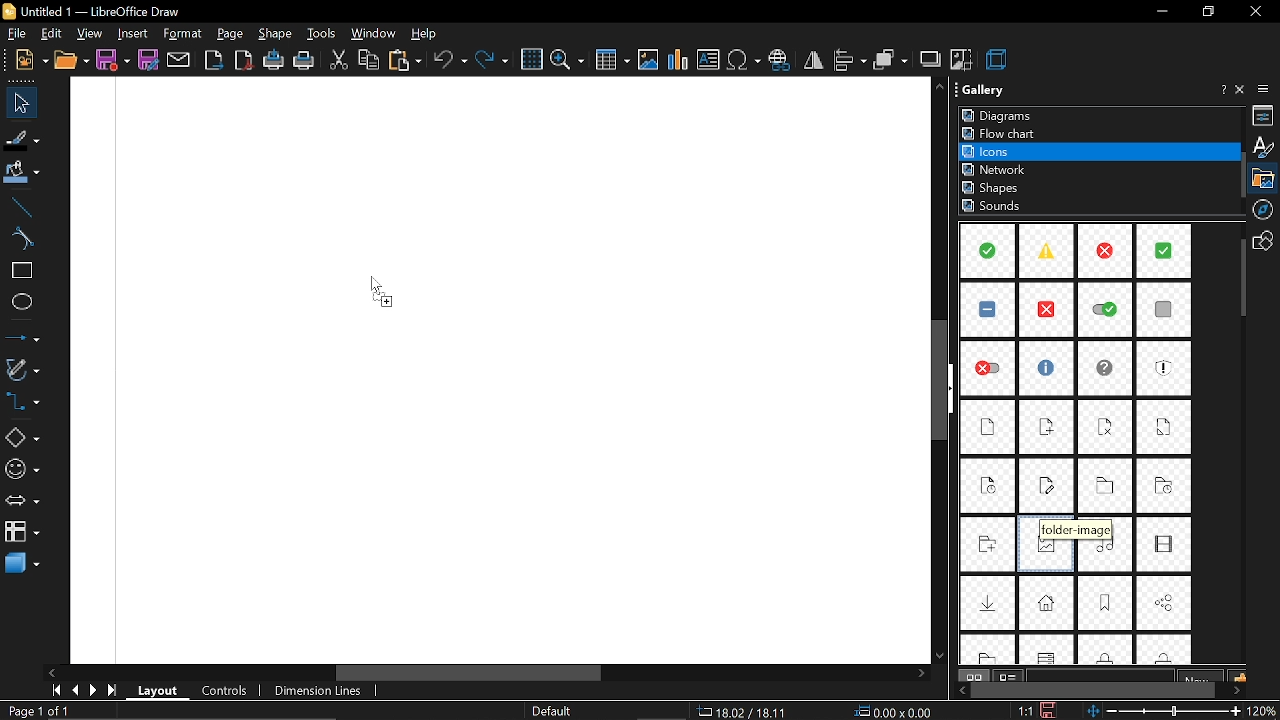 The image size is (1280, 720). Describe the element at coordinates (20, 532) in the screenshot. I see `flowchart` at that location.